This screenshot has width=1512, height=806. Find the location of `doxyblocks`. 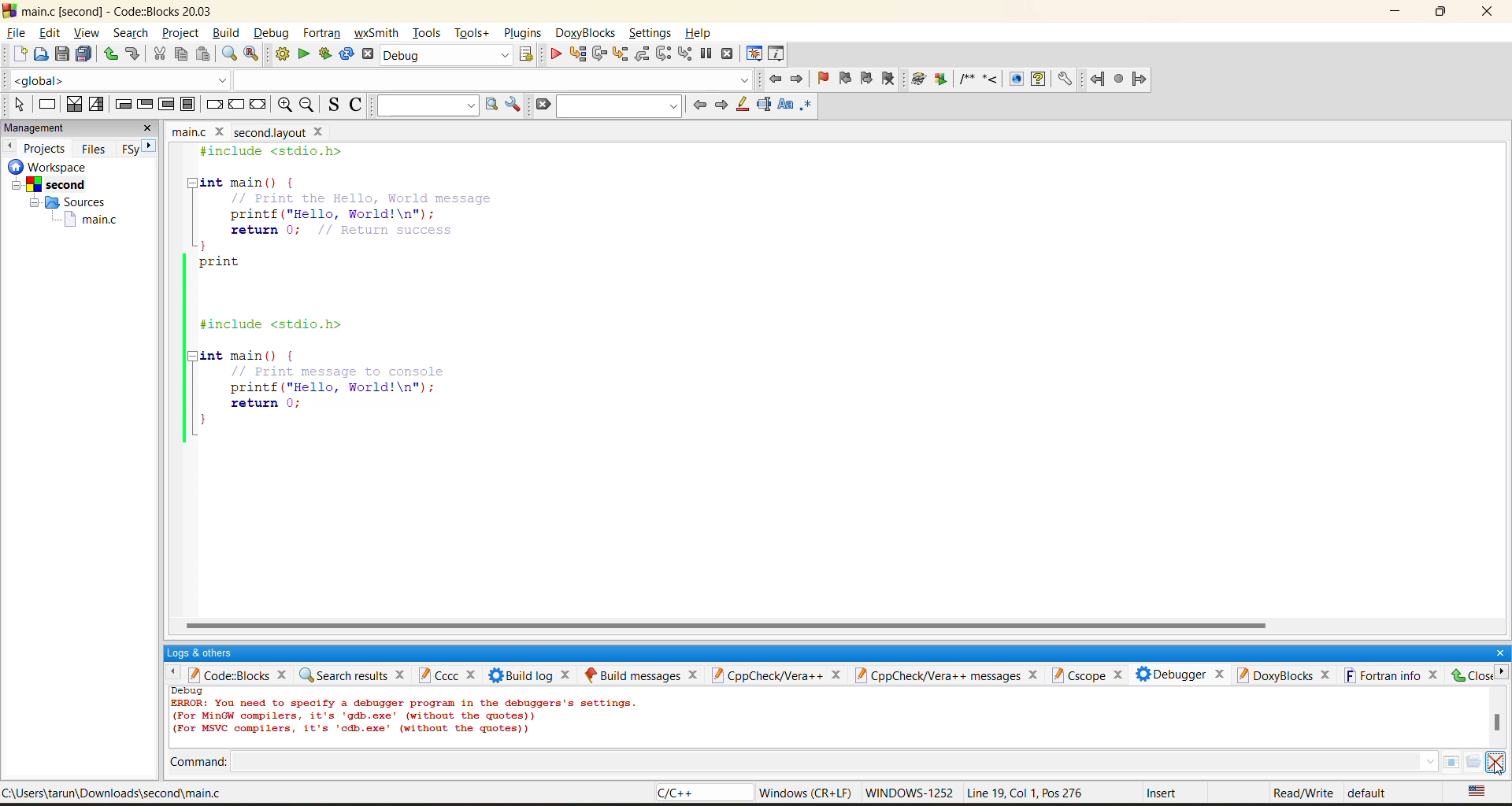

doxyblocks is located at coordinates (586, 31).